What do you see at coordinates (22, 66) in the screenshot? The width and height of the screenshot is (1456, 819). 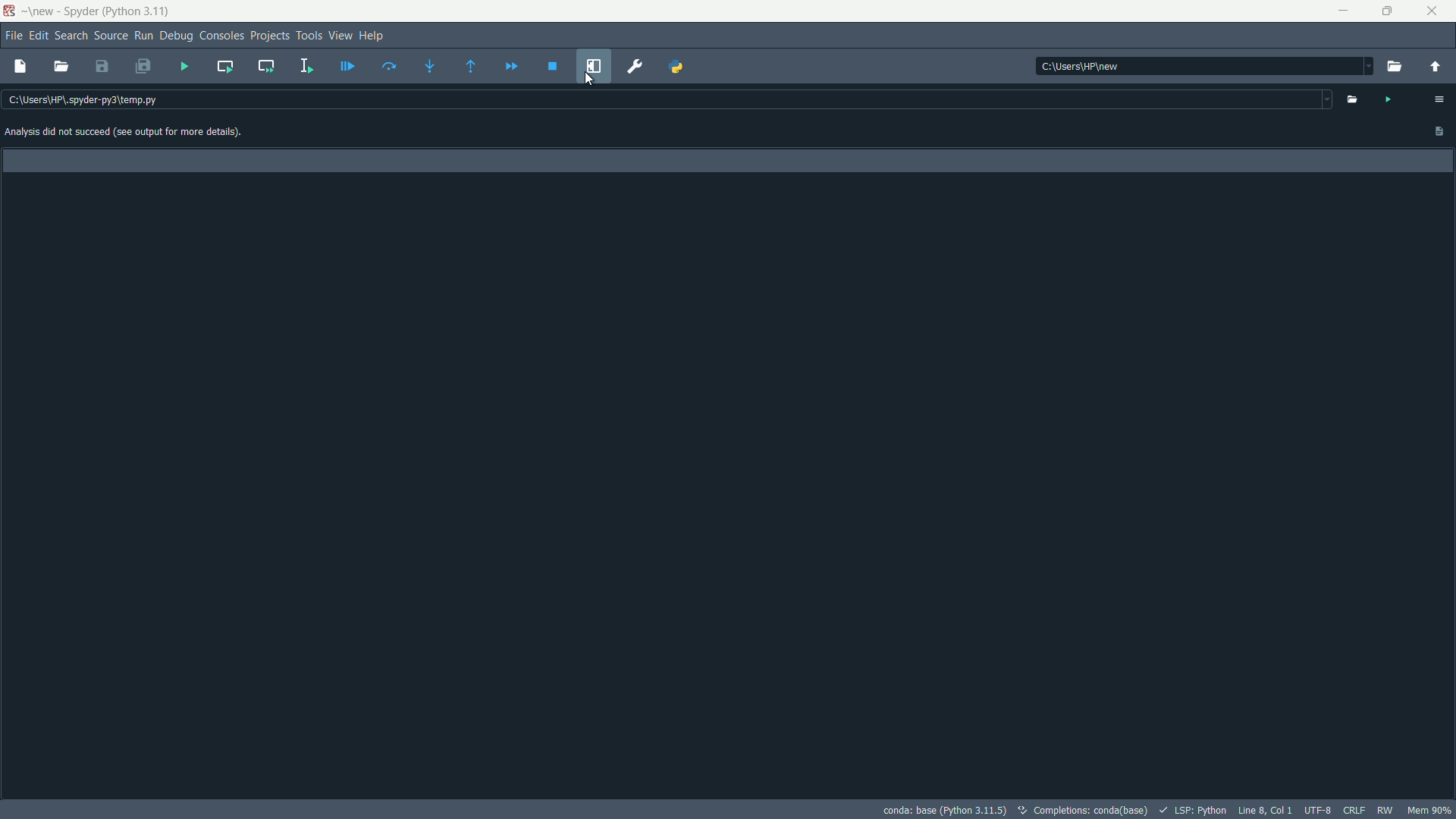 I see `new file` at bounding box center [22, 66].